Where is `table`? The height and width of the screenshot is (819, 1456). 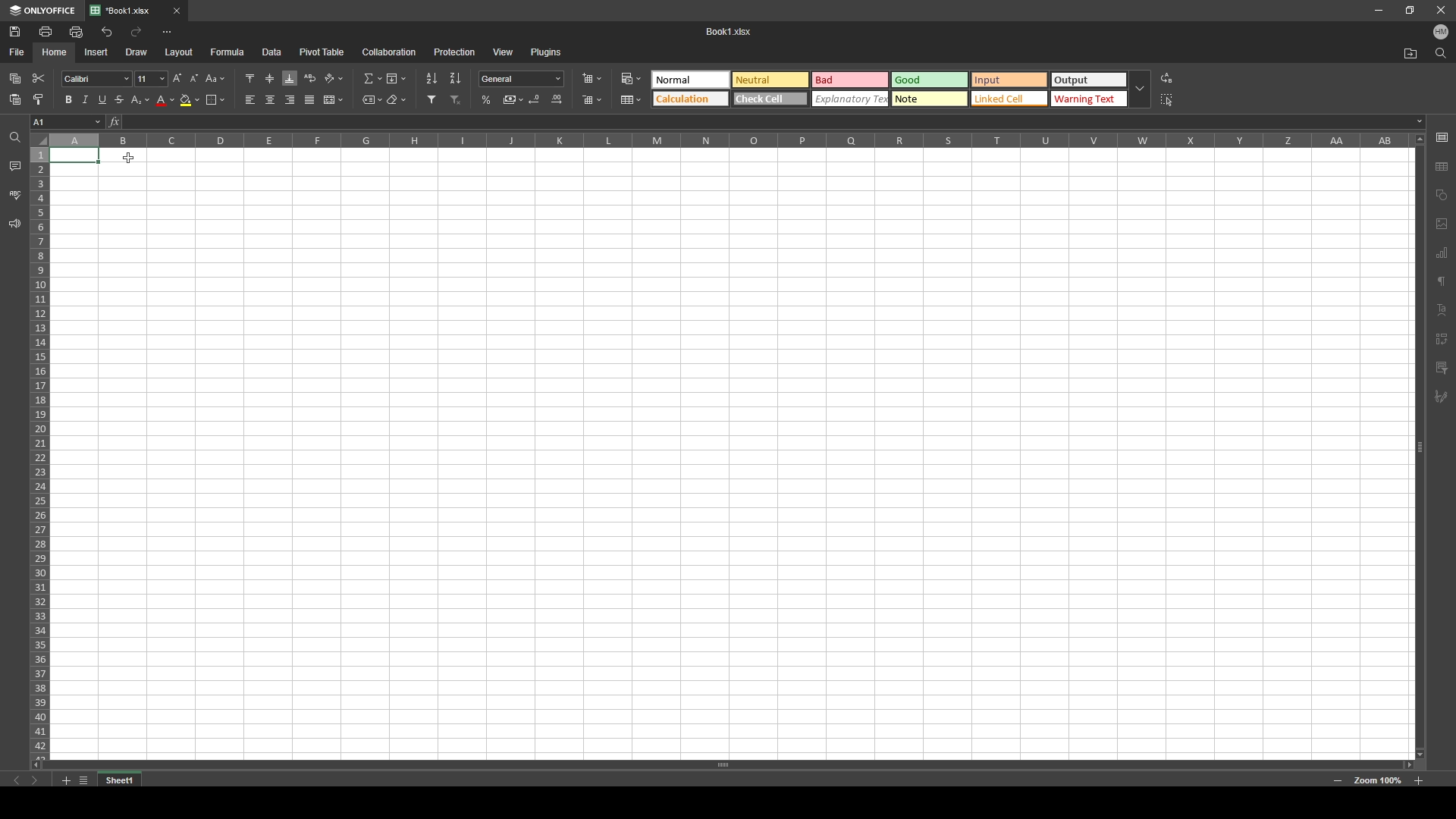 table is located at coordinates (1444, 164).